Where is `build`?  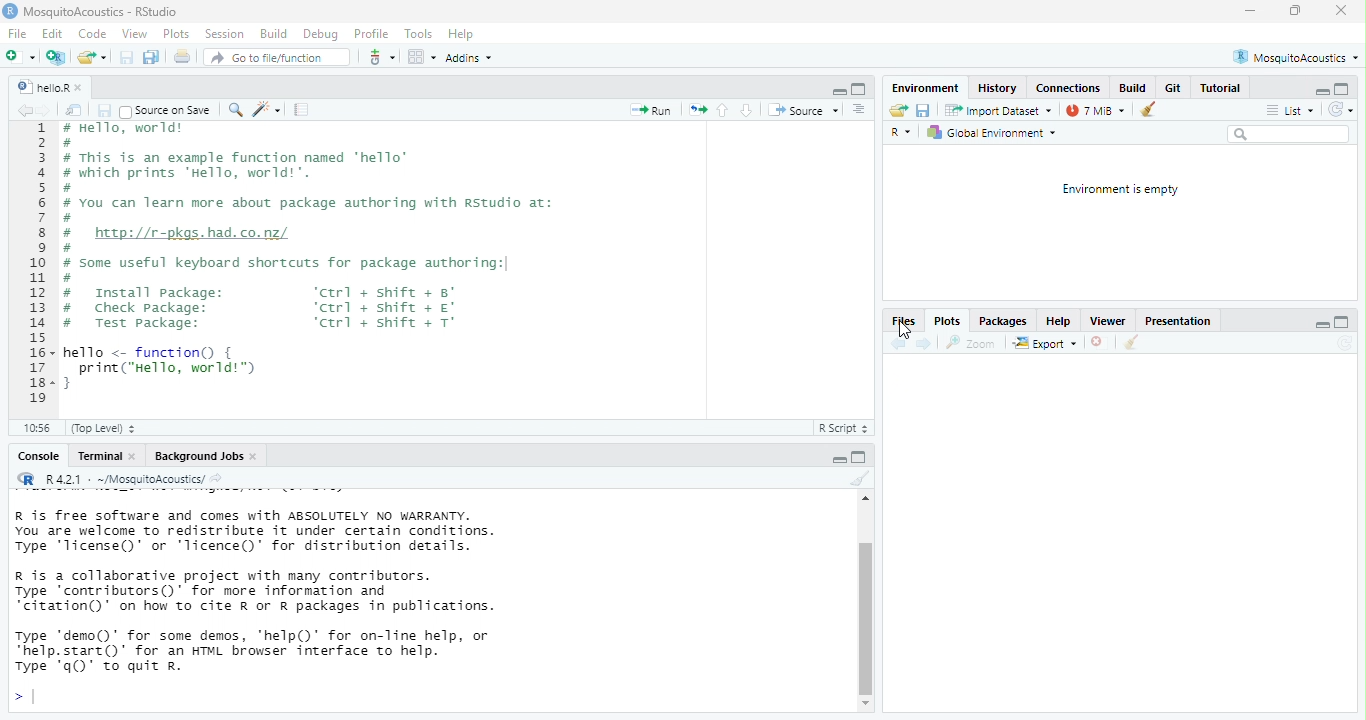
build is located at coordinates (1133, 88).